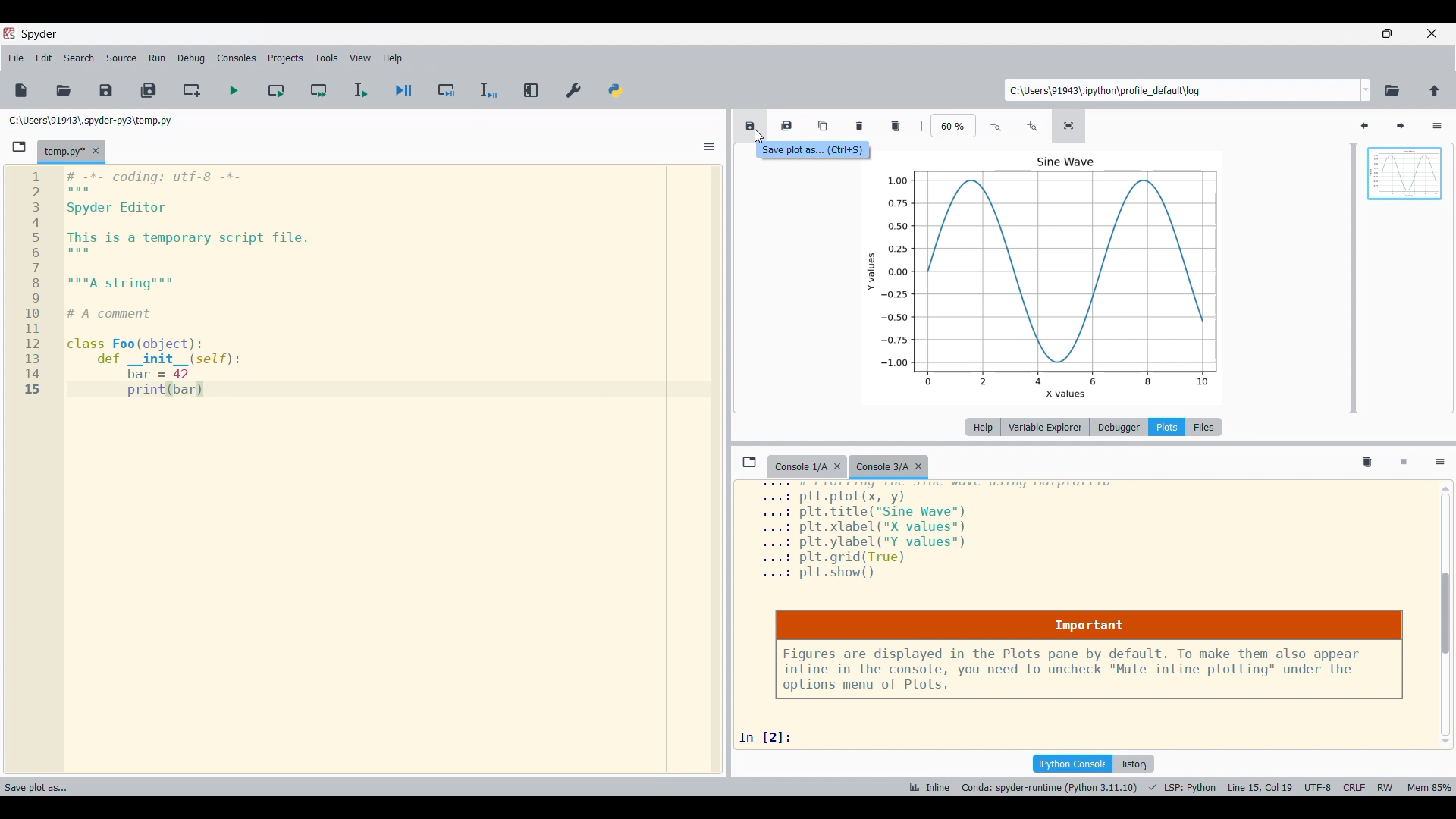 The width and height of the screenshot is (1456, 819). What do you see at coordinates (361, 90) in the screenshot?
I see `Run selection/current file` at bounding box center [361, 90].